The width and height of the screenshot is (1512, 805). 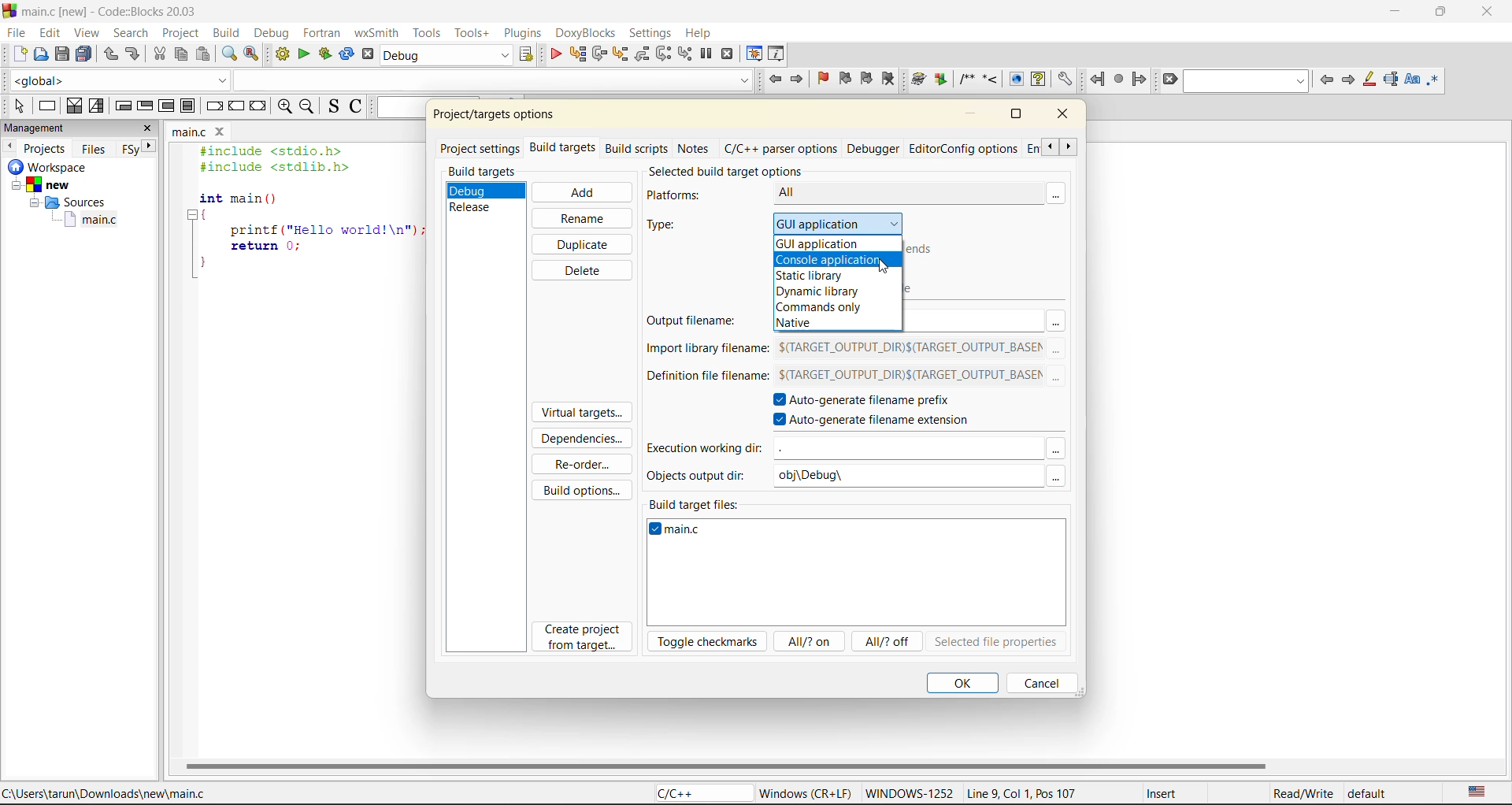 What do you see at coordinates (1247, 81) in the screenshot?
I see `text to find` at bounding box center [1247, 81].